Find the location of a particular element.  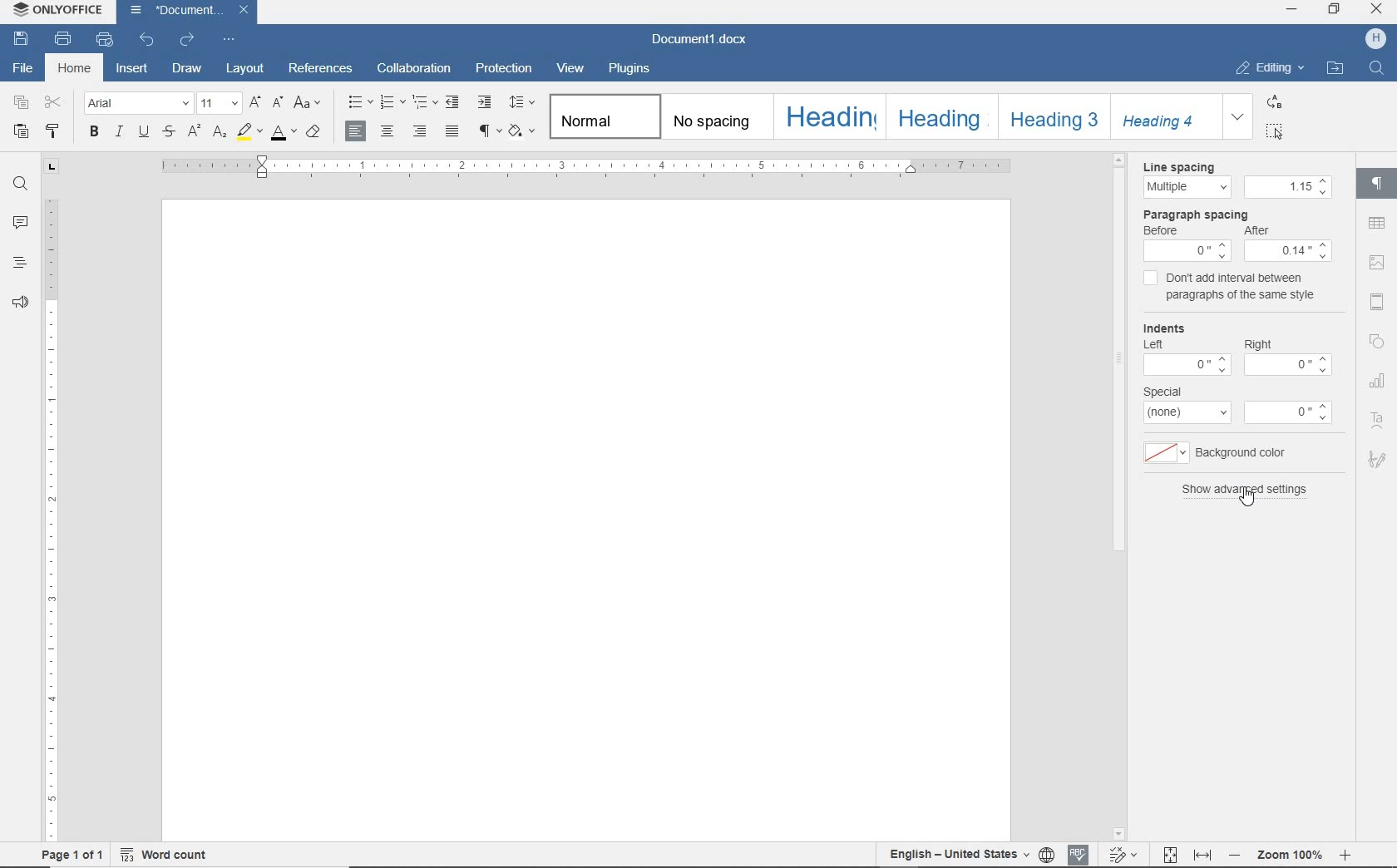

normal is located at coordinates (605, 117).